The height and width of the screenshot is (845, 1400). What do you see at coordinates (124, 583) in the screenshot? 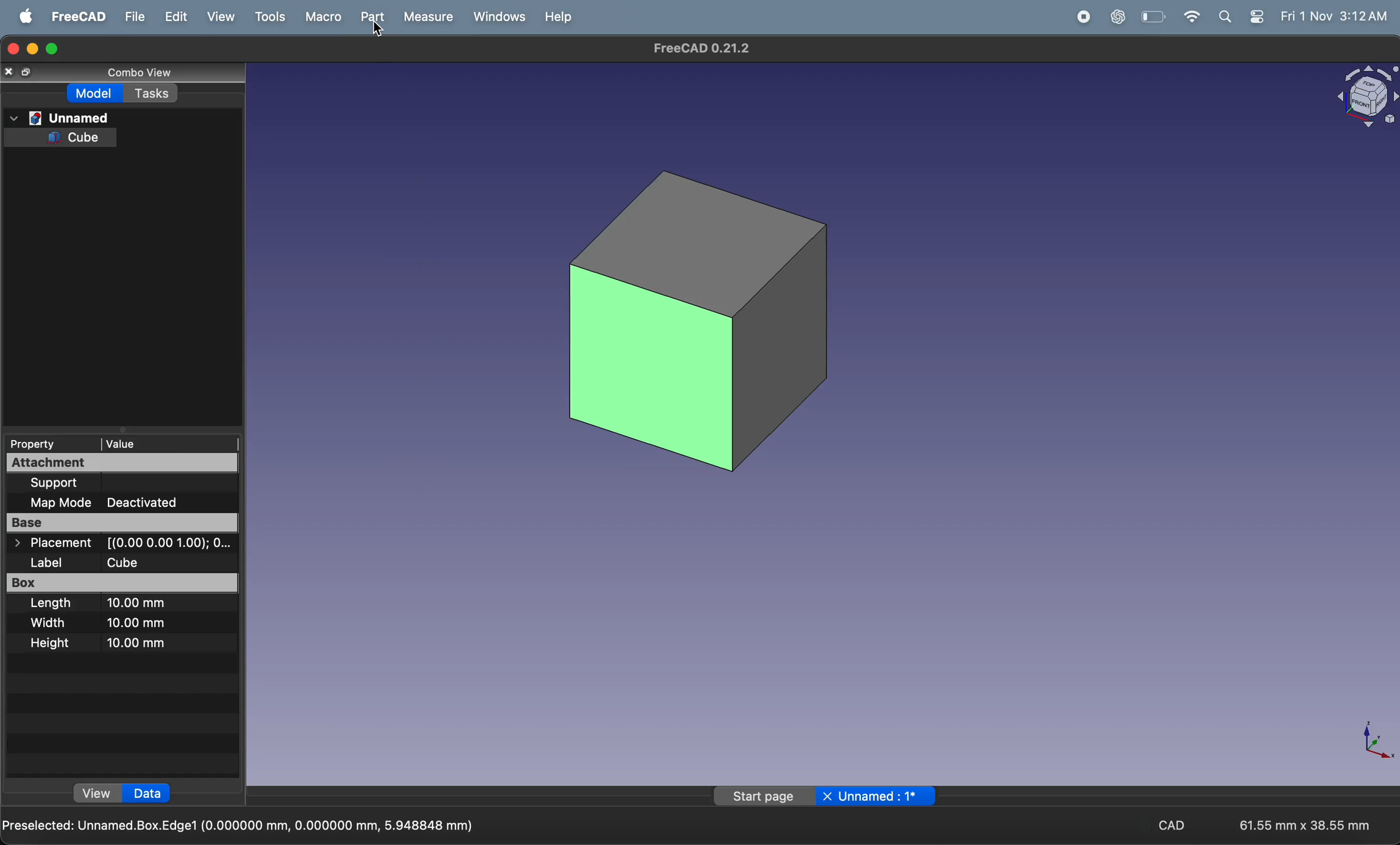
I see `Box` at bounding box center [124, 583].